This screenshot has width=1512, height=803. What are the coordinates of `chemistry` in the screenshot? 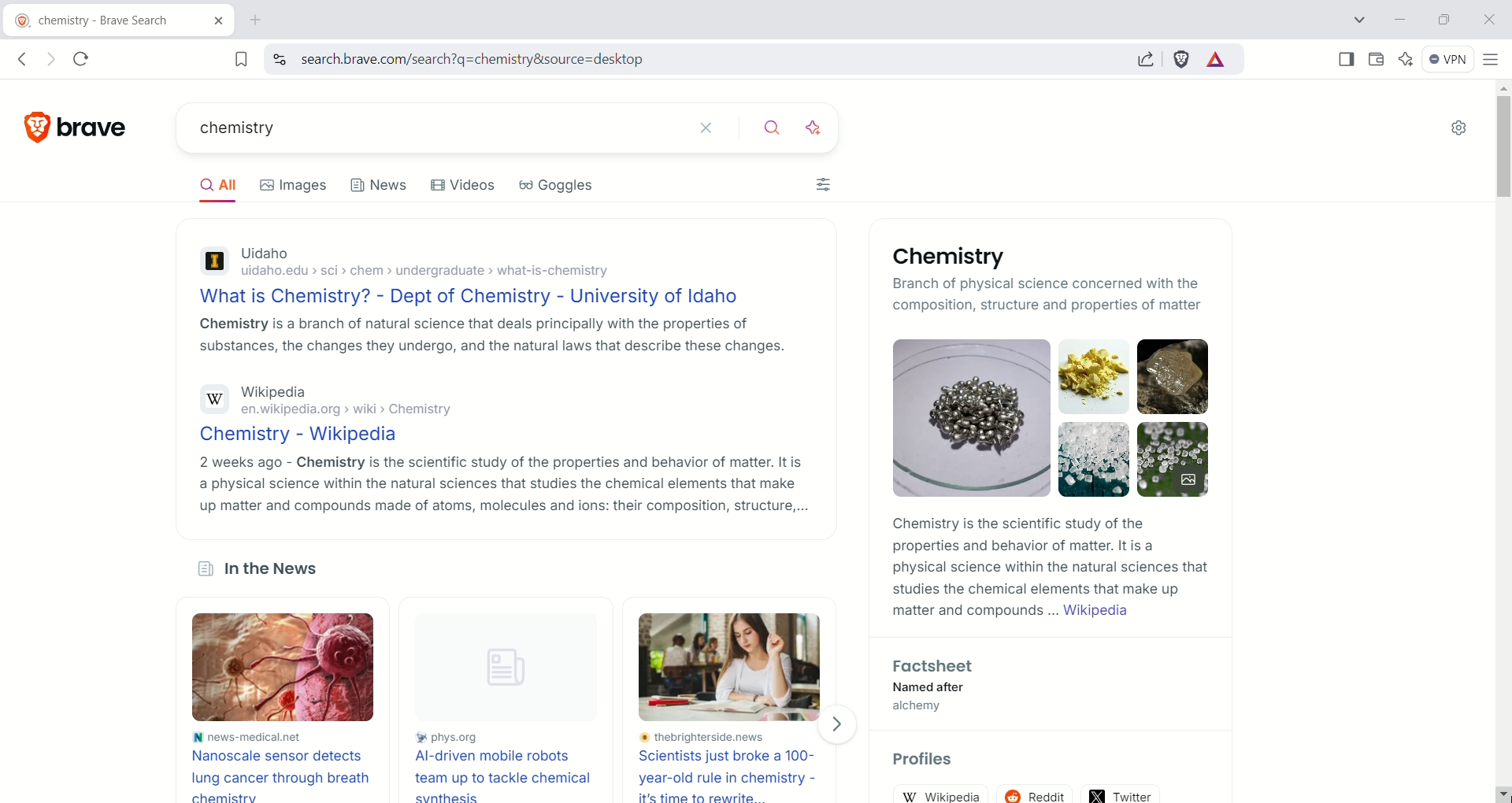 It's located at (414, 130).